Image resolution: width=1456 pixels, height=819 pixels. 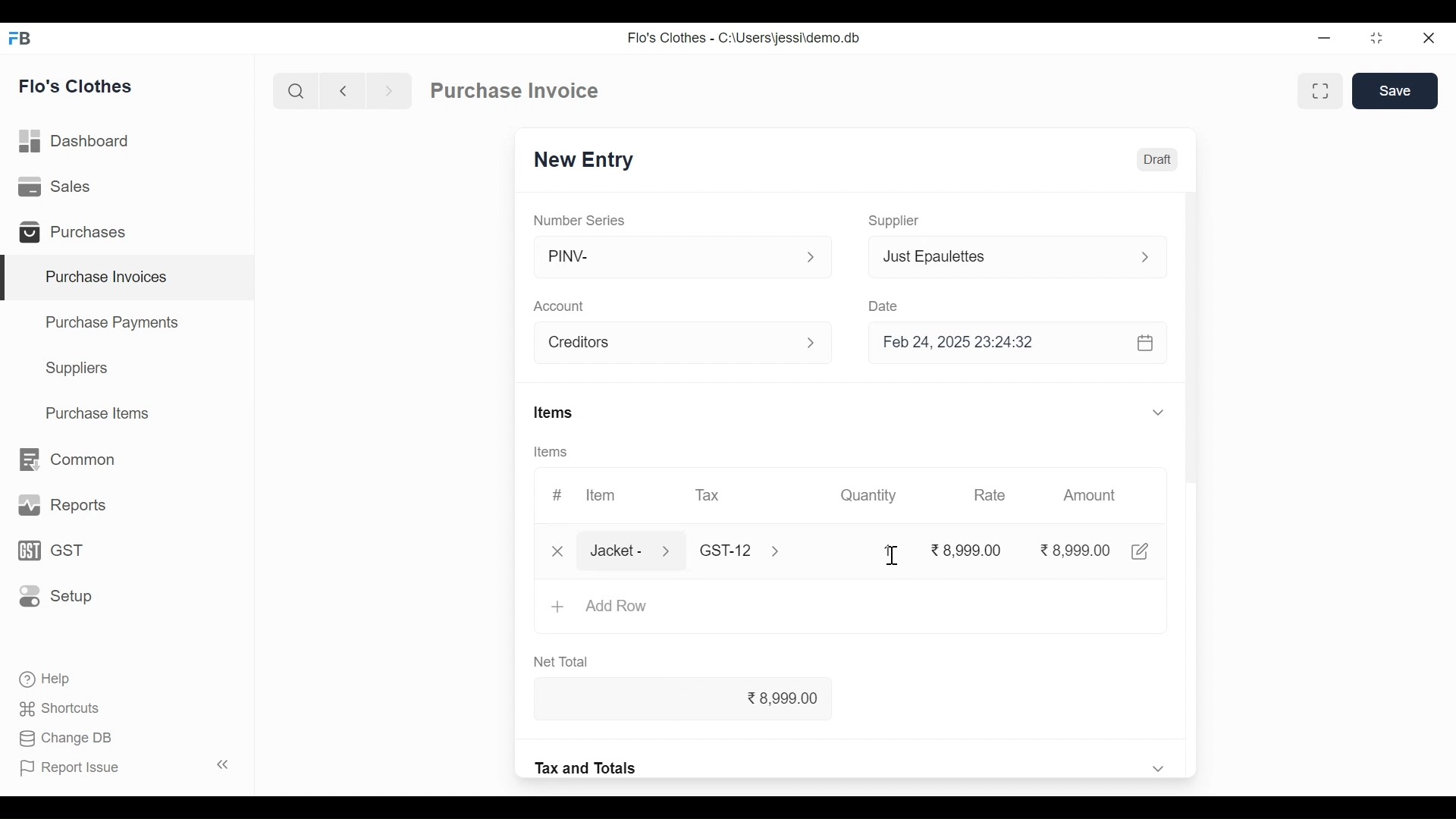 I want to click on Common, so click(x=70, y=459).